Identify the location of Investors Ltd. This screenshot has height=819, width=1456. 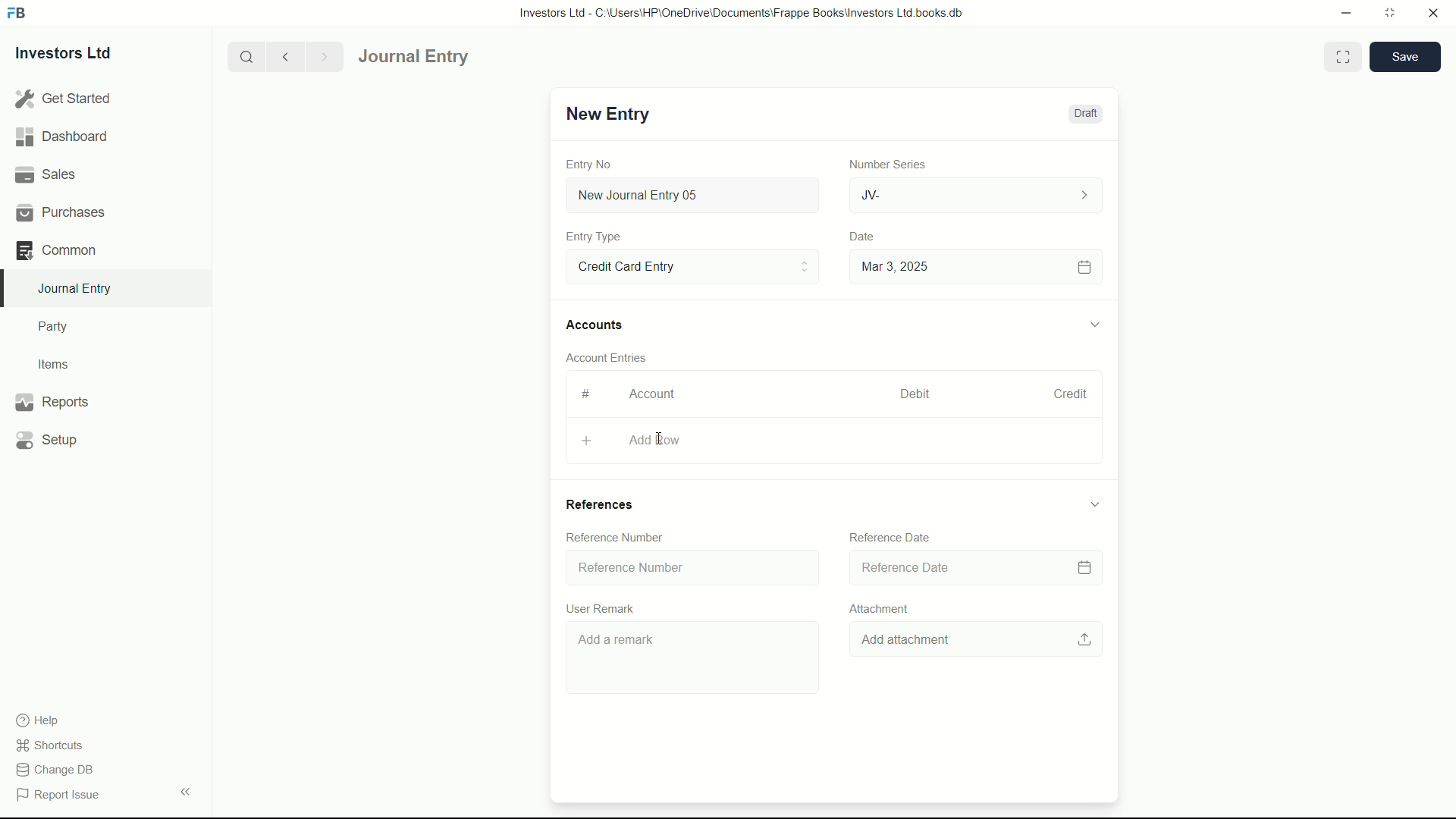
(77, 55).